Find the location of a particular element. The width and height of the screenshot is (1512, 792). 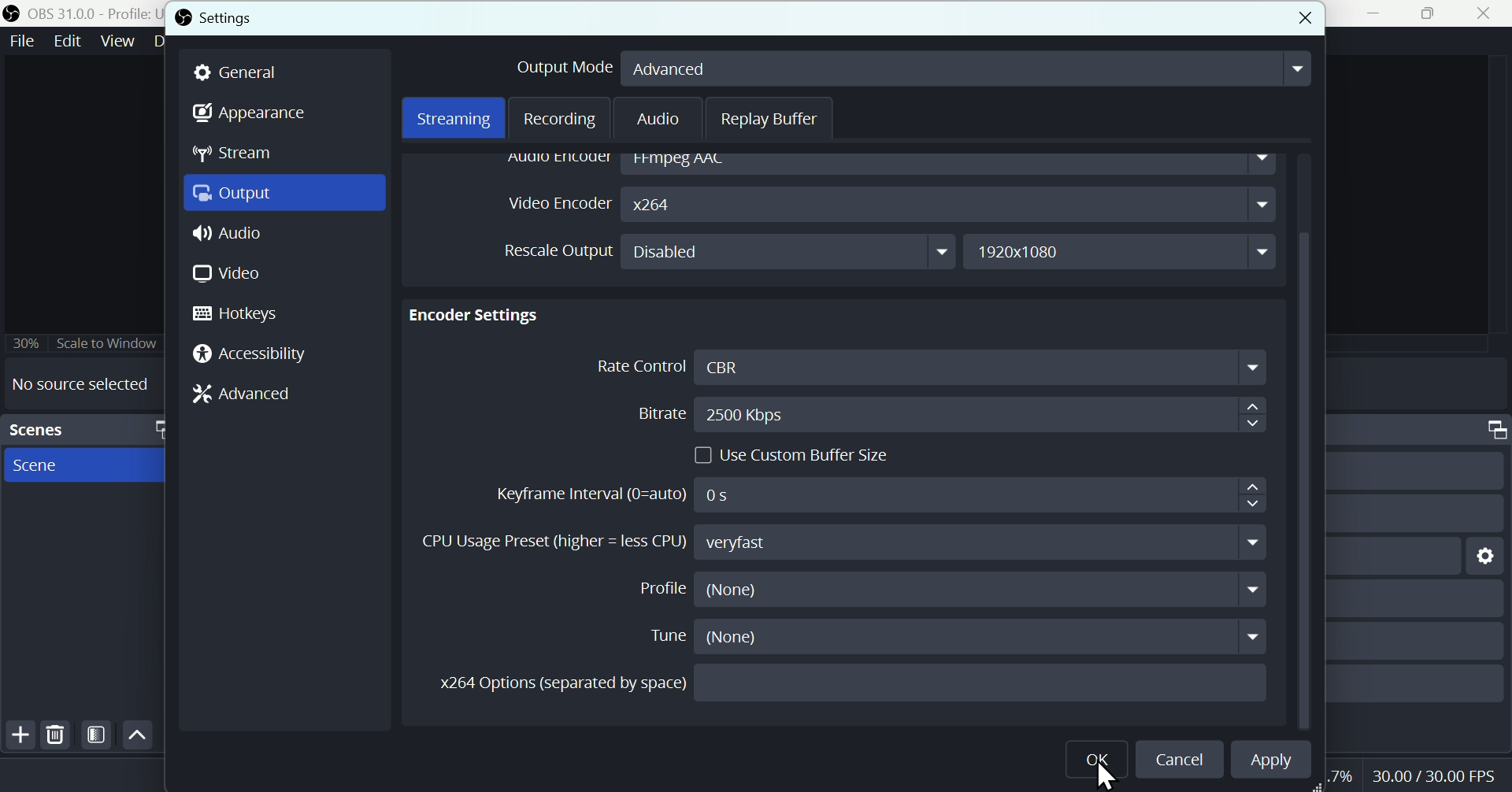

cancel is located at coordinates (1179, 761).